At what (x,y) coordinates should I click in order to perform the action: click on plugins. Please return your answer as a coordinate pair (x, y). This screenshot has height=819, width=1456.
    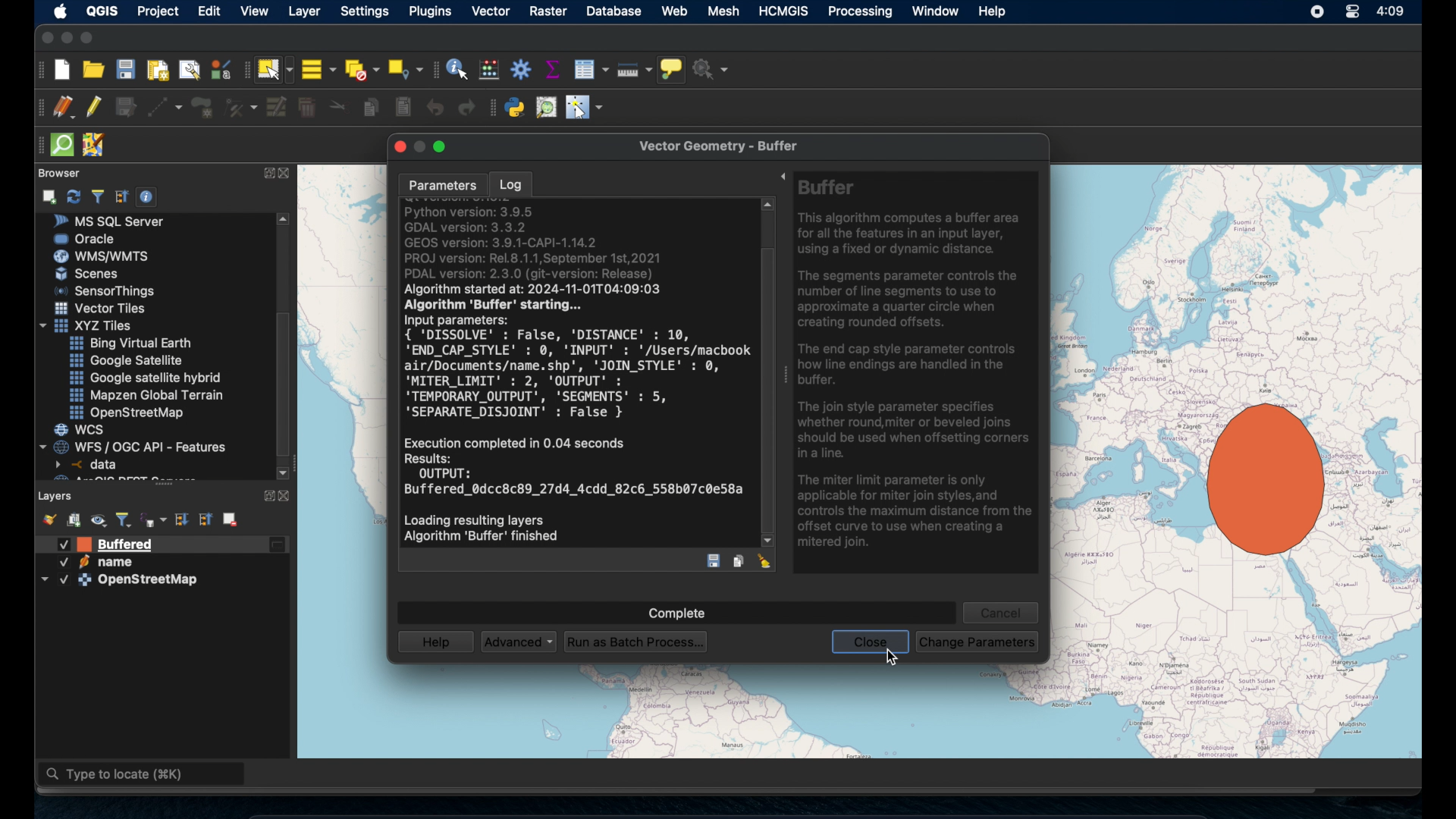
    Looking at the image, I should click on (430, 11).